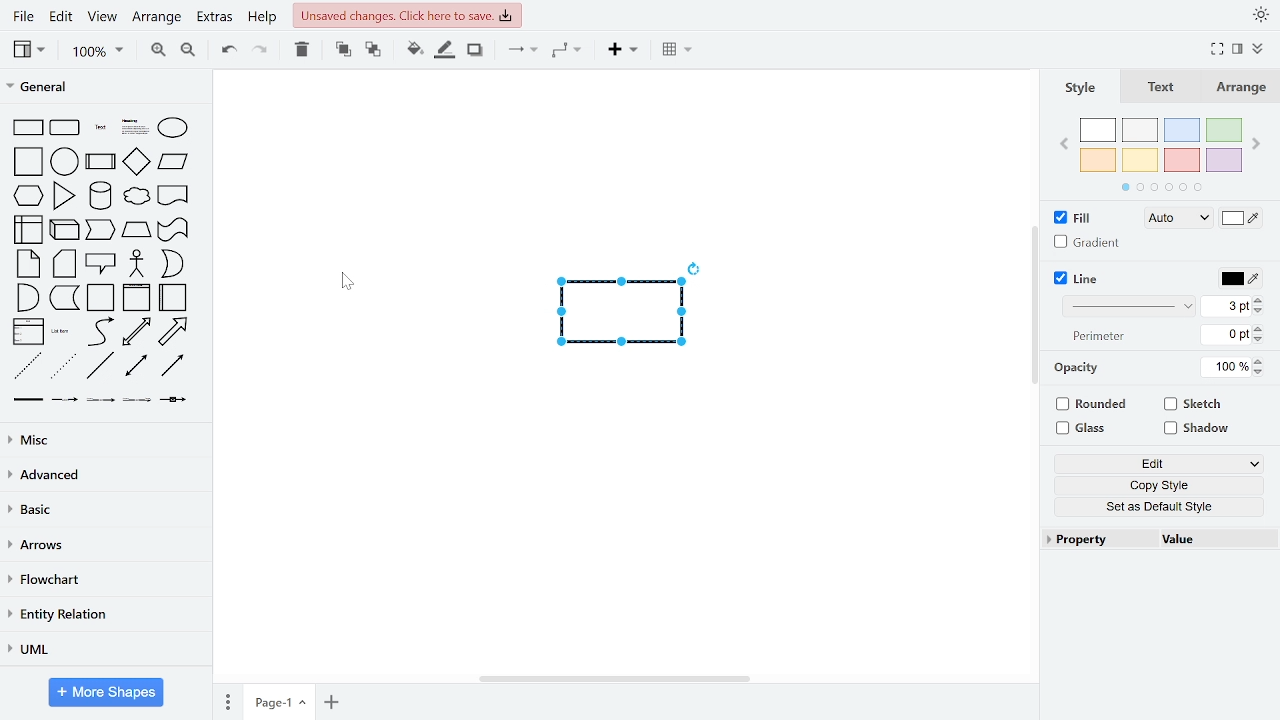  What do you see at coordinates (106, 613) in the screenshot?
I see `entity relation` at bounding box center [106, 613].